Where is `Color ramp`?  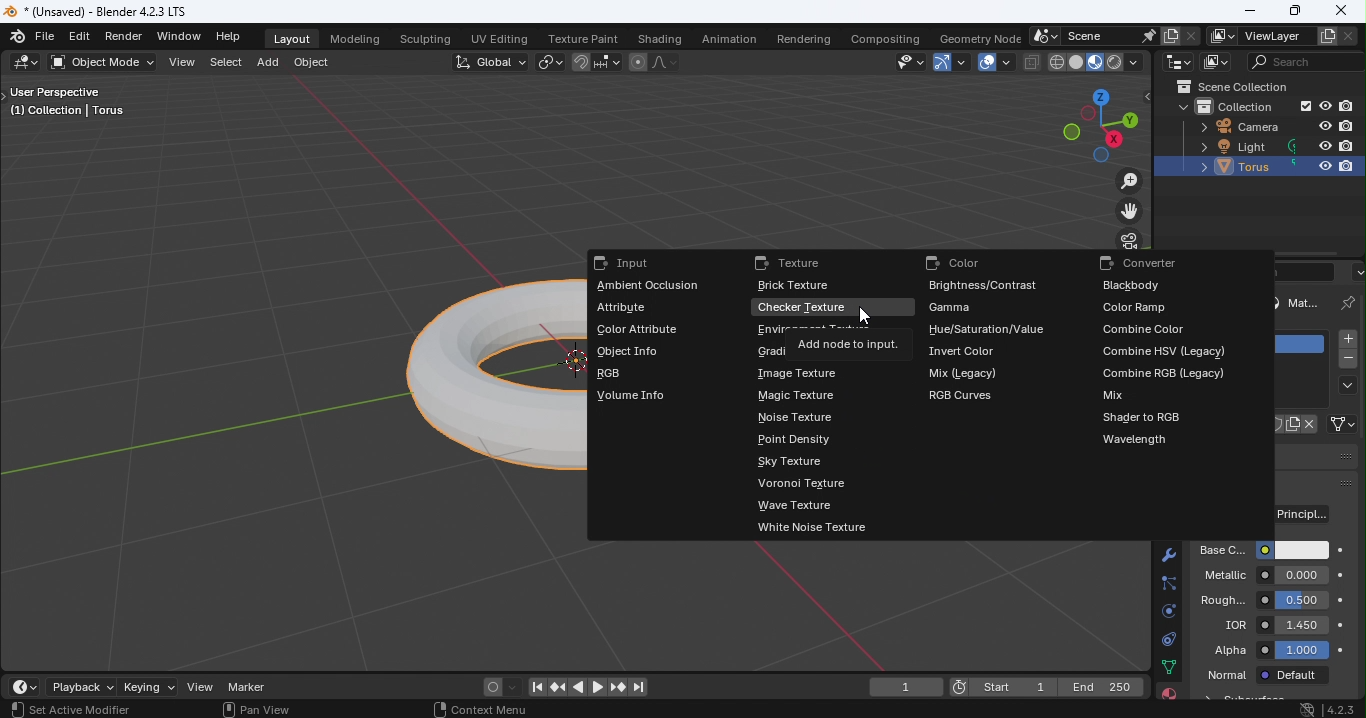 Color ramp is located at coordinates (1132, 305).